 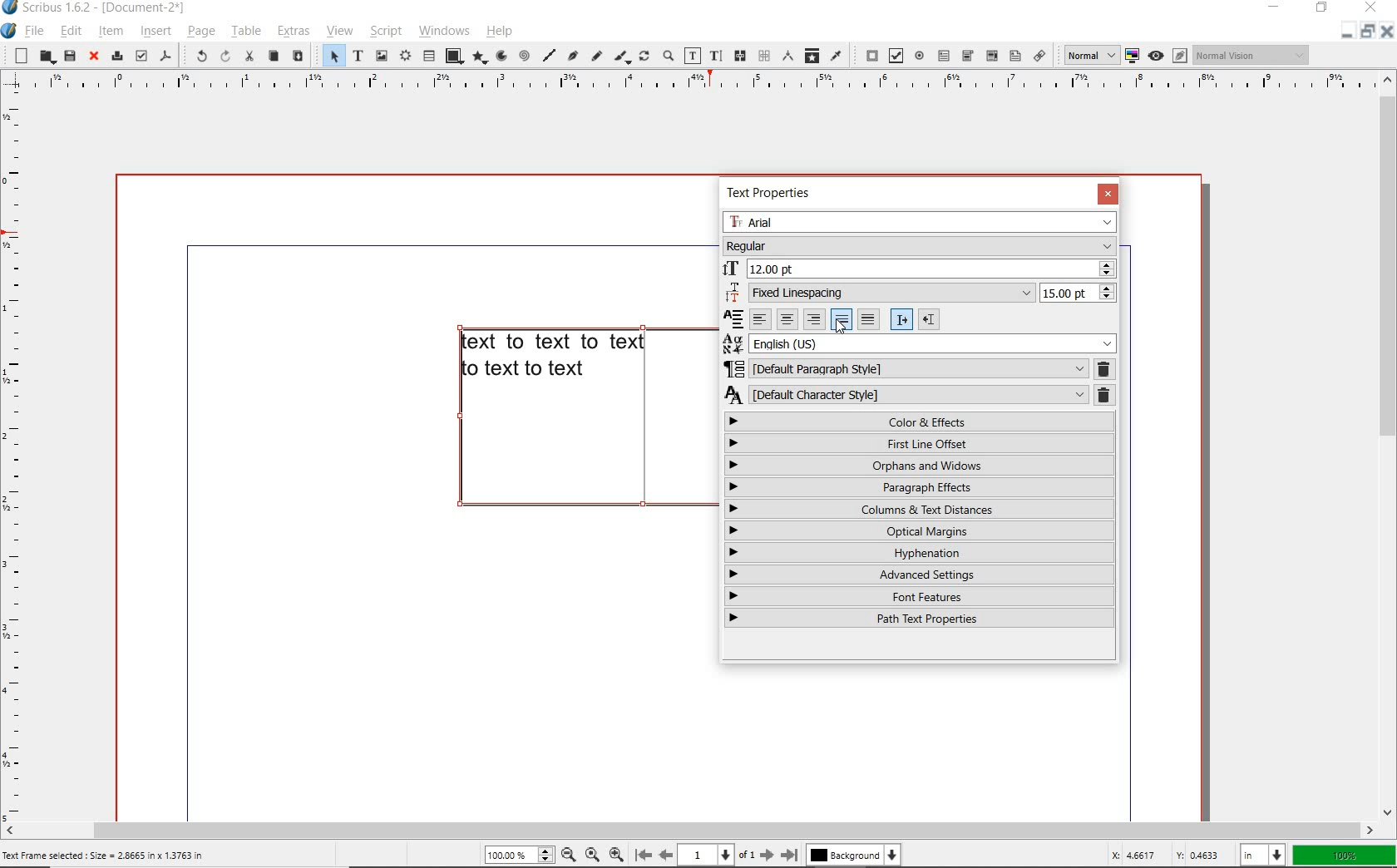 I want to click on new, so click(x=18, y=56).